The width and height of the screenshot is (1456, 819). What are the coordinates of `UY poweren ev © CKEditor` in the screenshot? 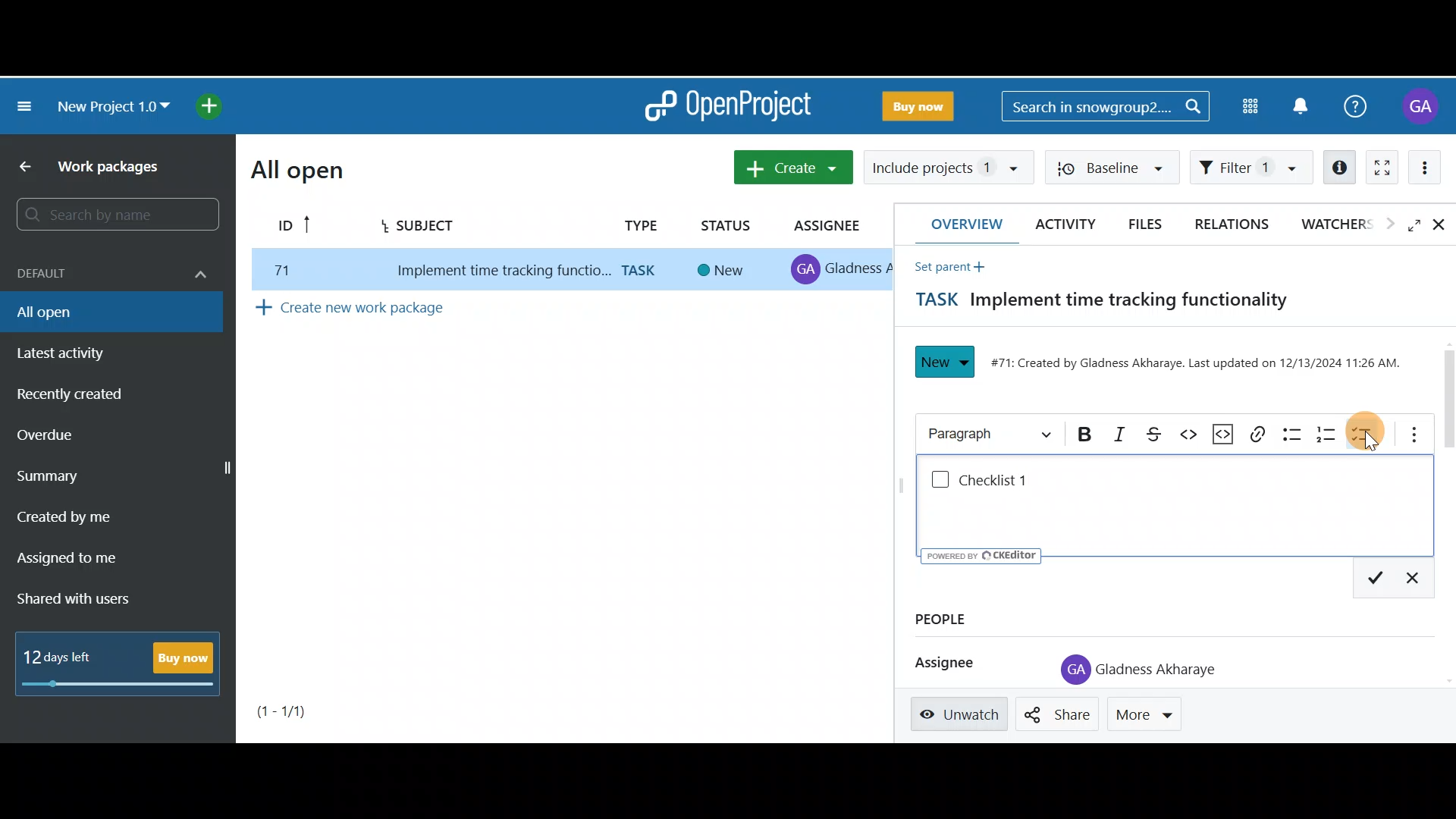 It's located at (981, 555).